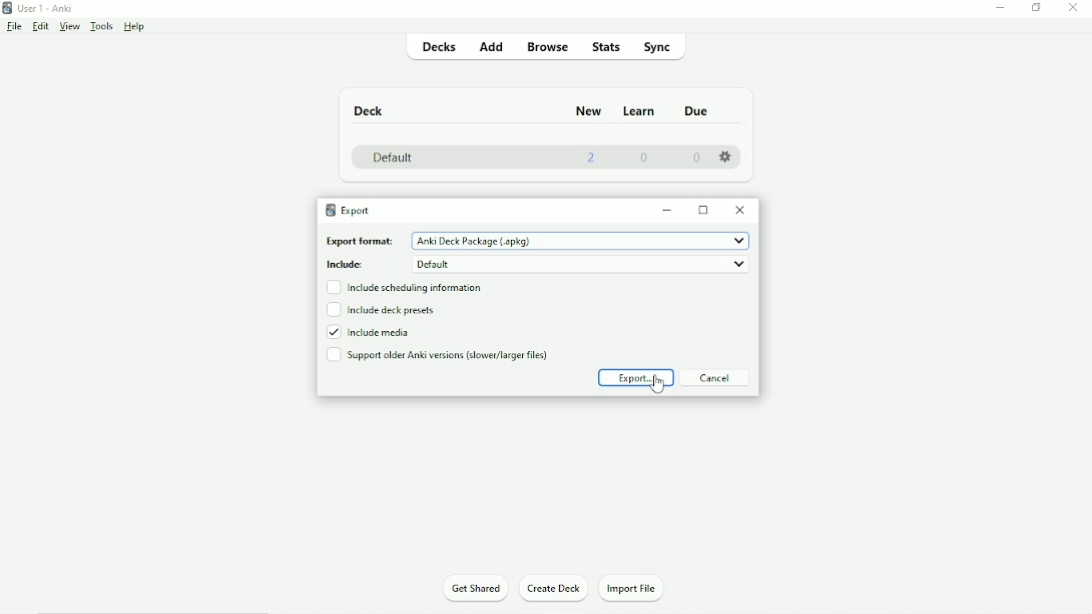 The width and height of the screenshot is (1092, 614). Describe the element at coordinates (696, 158) in the screenshot. I see `0` at that location.